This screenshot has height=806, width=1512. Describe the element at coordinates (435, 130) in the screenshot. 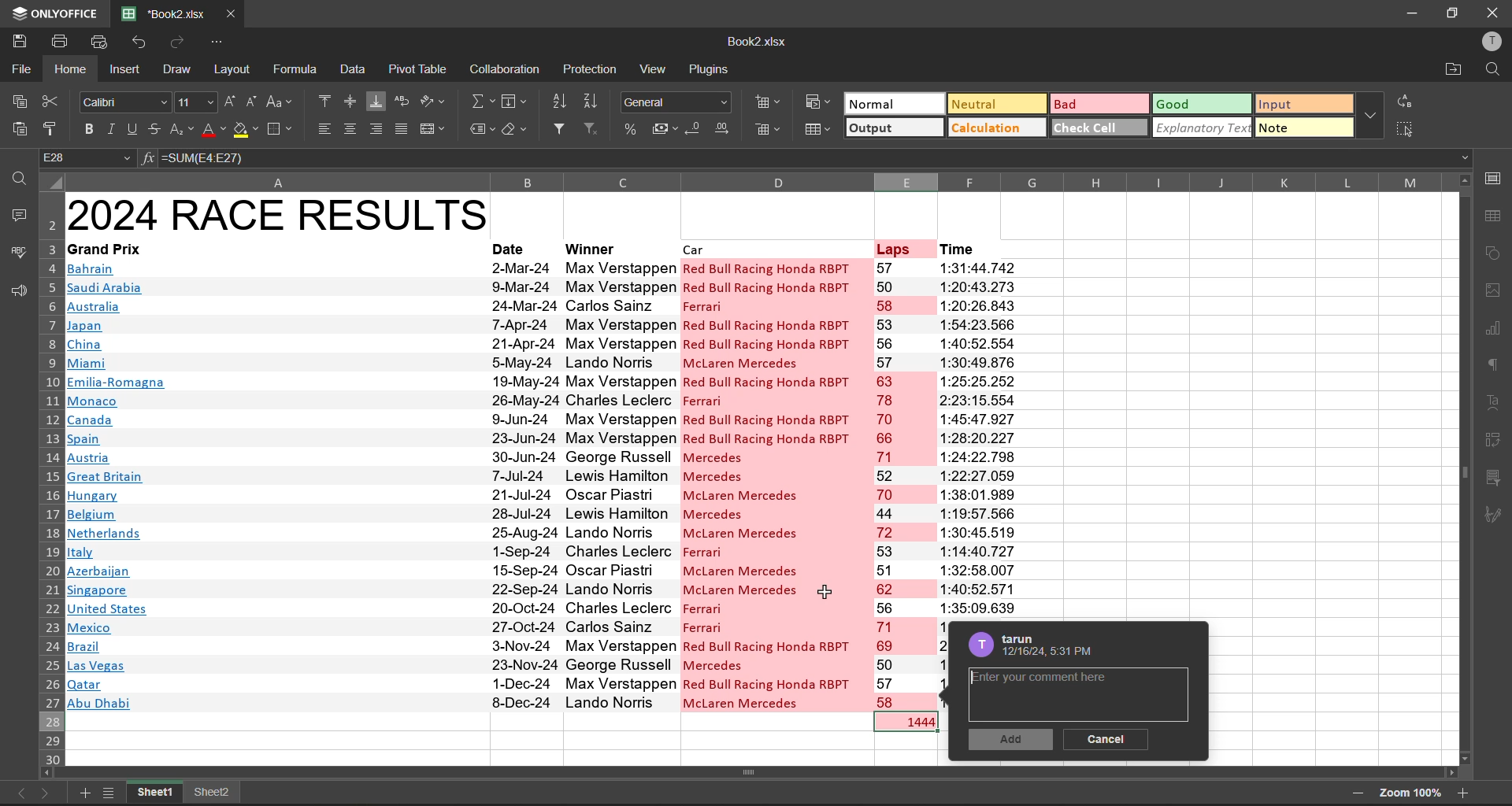

I see `merge and center` at that location.